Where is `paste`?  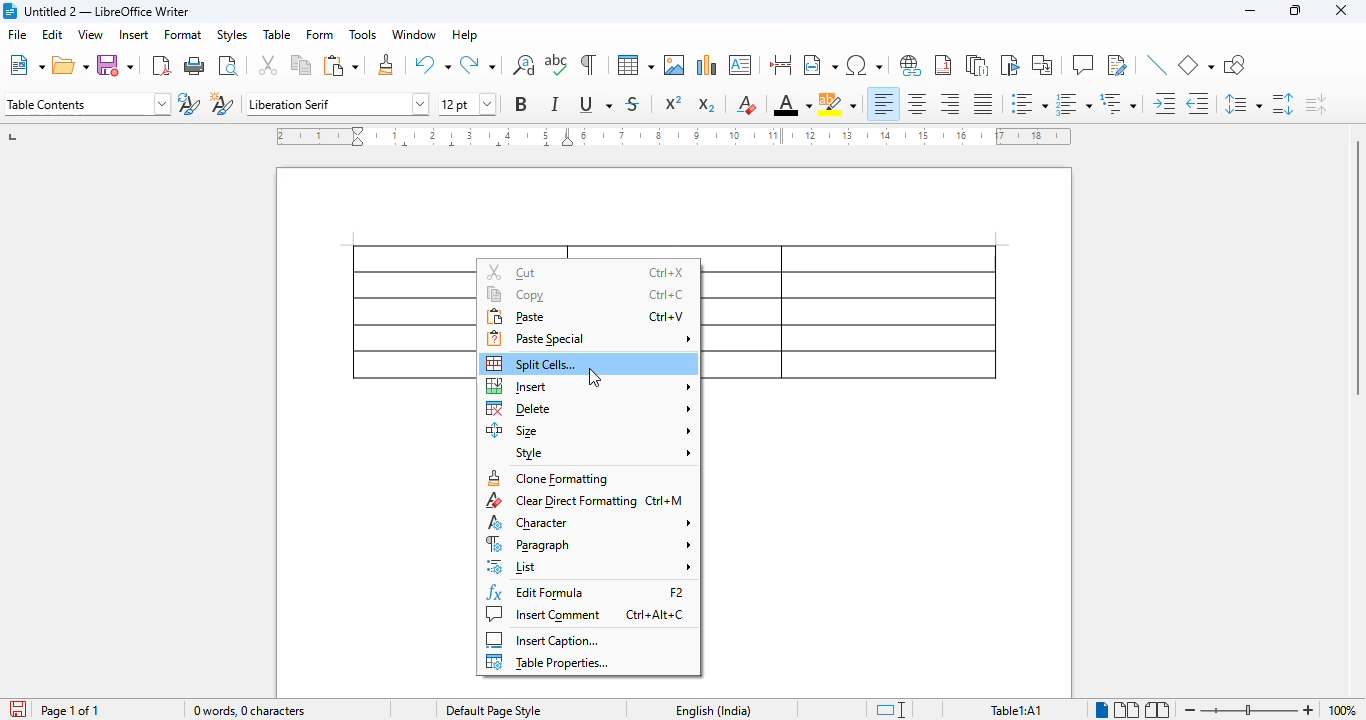 paste is located at coordinates (342, 65).